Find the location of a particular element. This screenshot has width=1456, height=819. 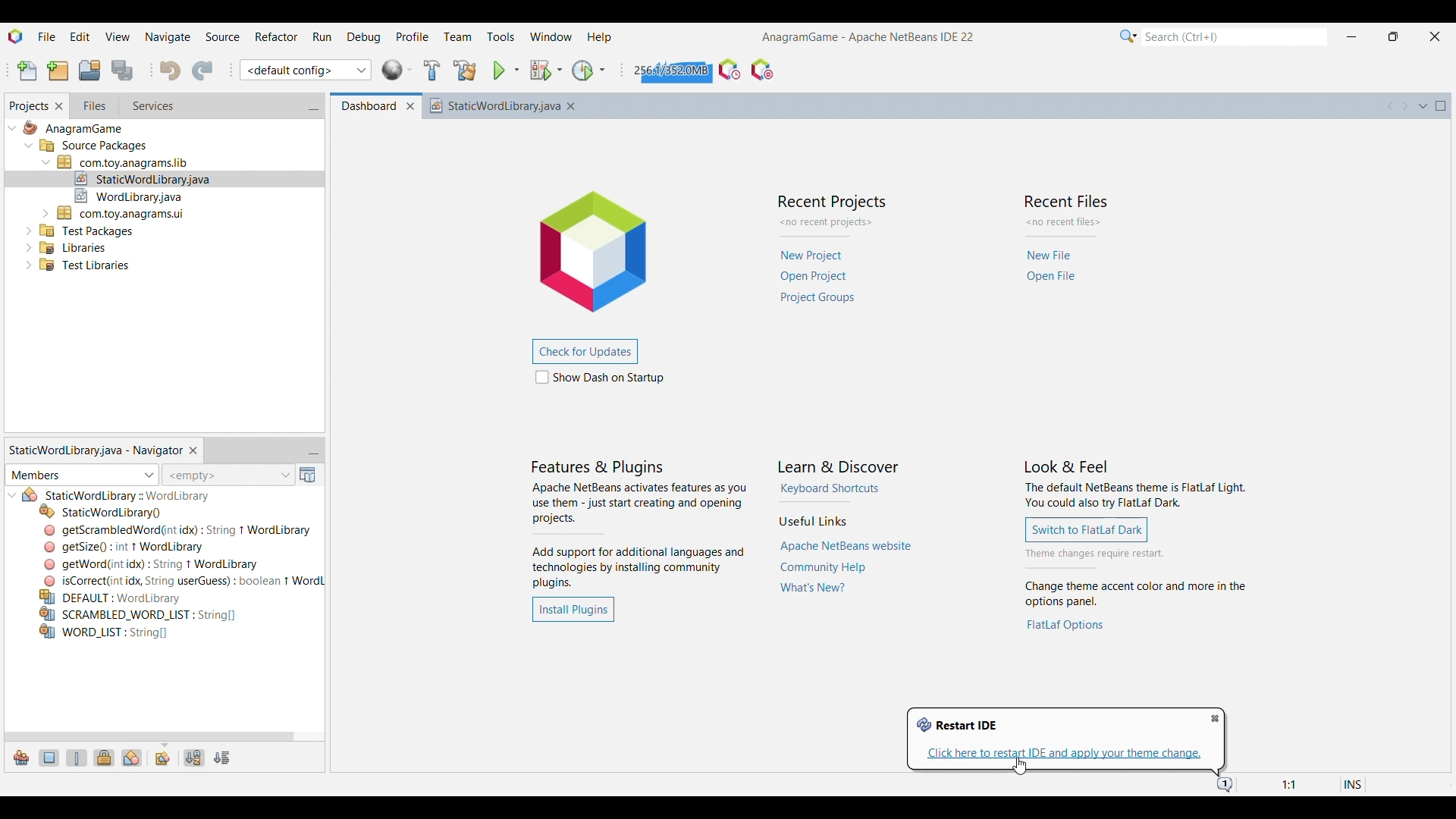

 is located at coordinates (123, 212).